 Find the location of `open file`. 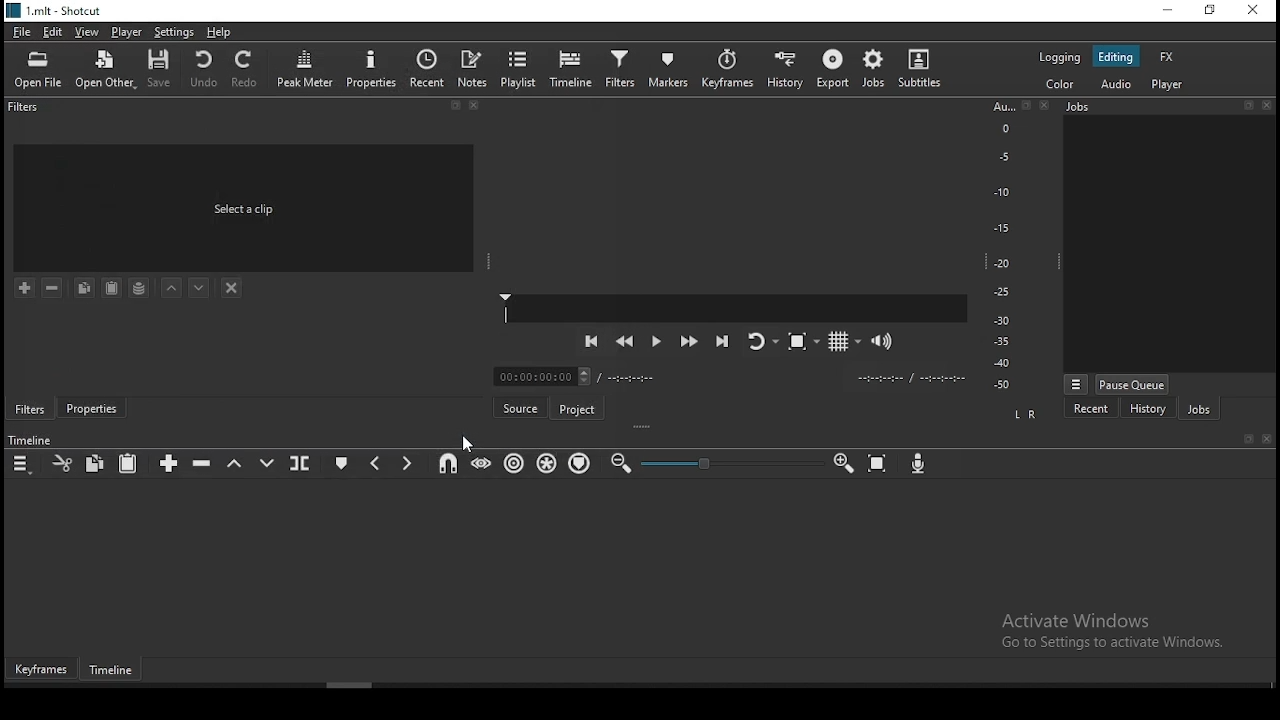

open file is located at coordinates (42, 68).